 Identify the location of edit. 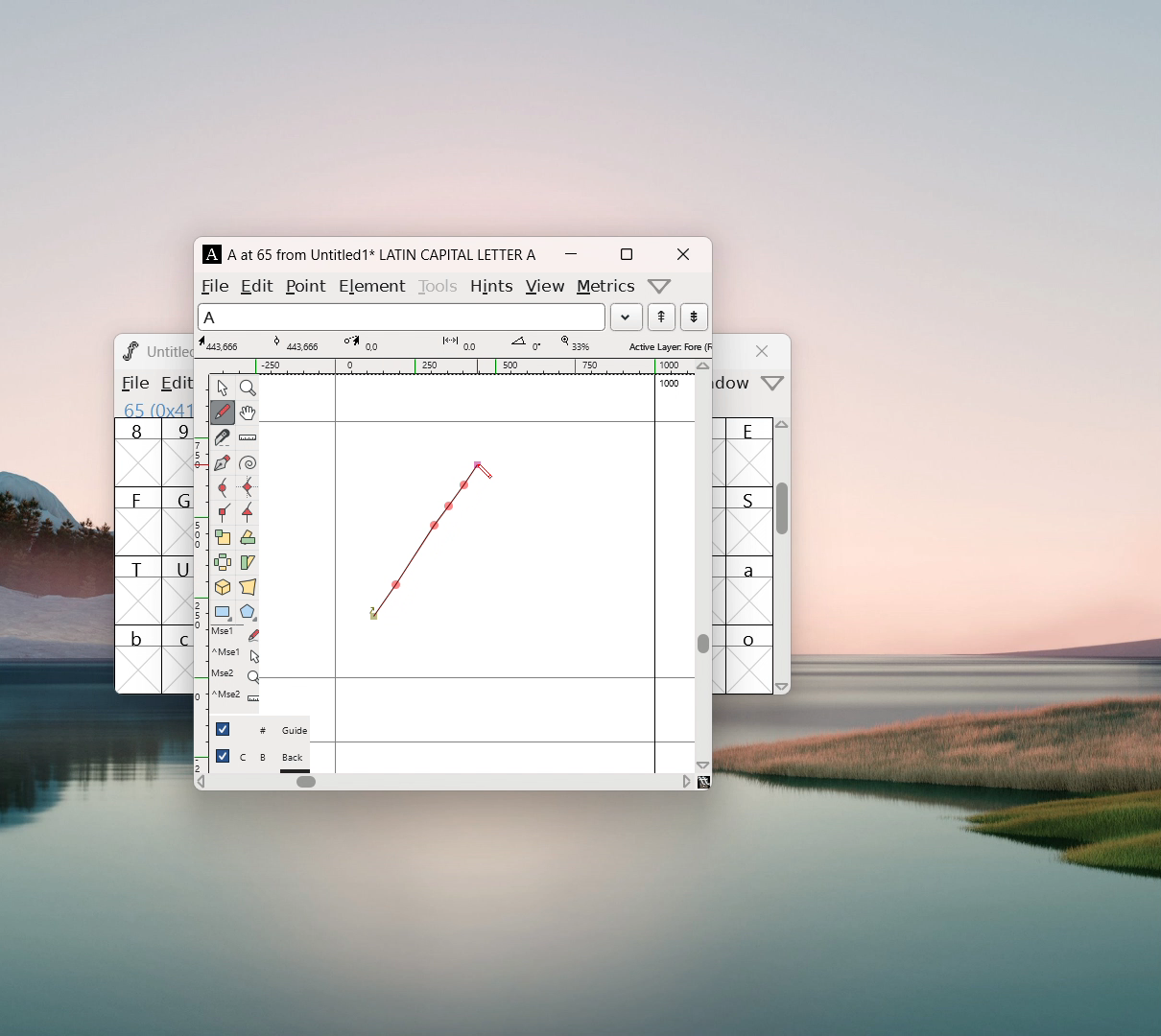
(258, 285).